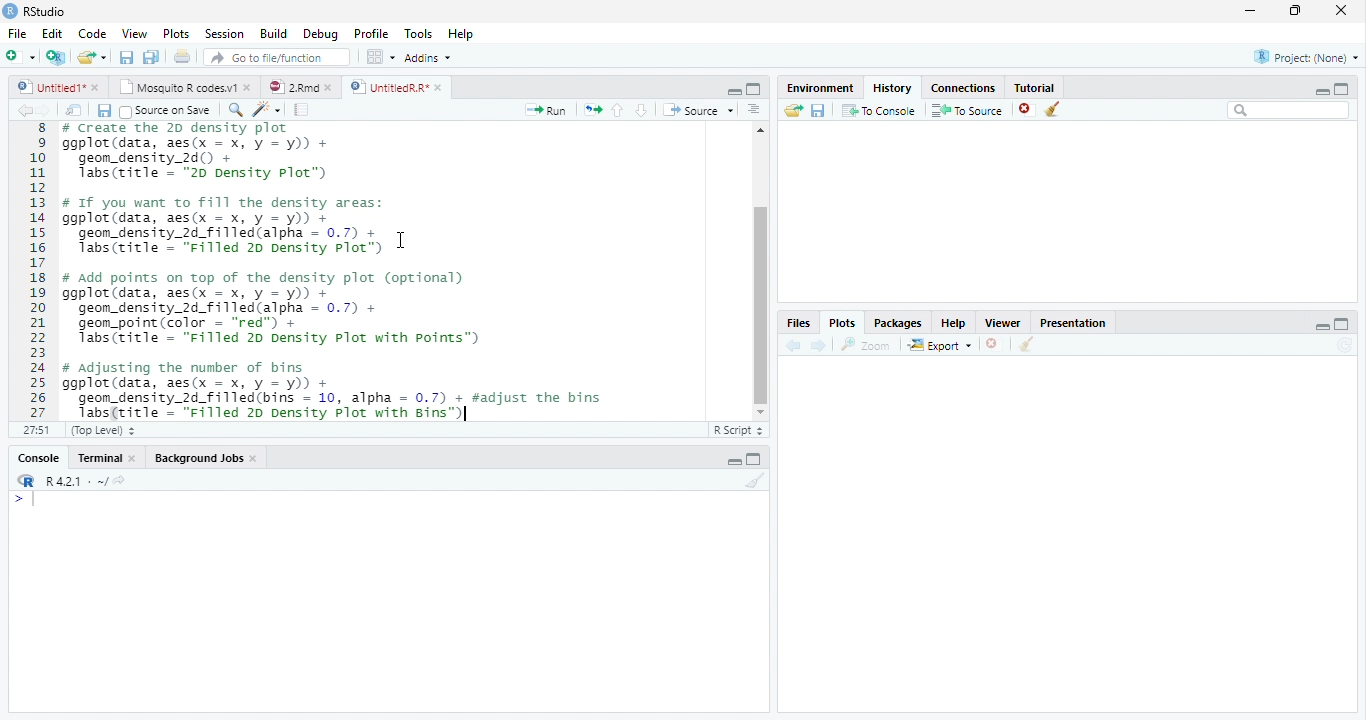 This screenshot has width=1366, height=720. I want to click on Source, so click(698, 110).